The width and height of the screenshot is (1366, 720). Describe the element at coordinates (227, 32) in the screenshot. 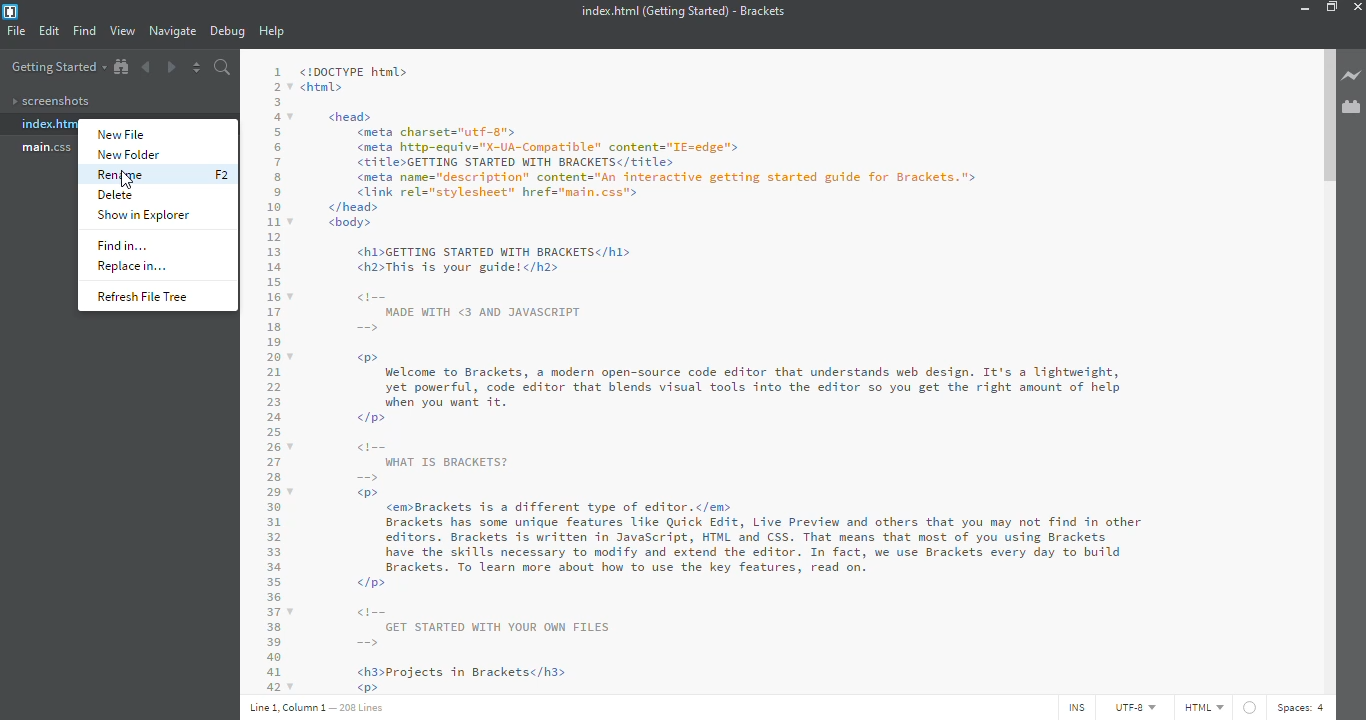

I see `debug` at that location.